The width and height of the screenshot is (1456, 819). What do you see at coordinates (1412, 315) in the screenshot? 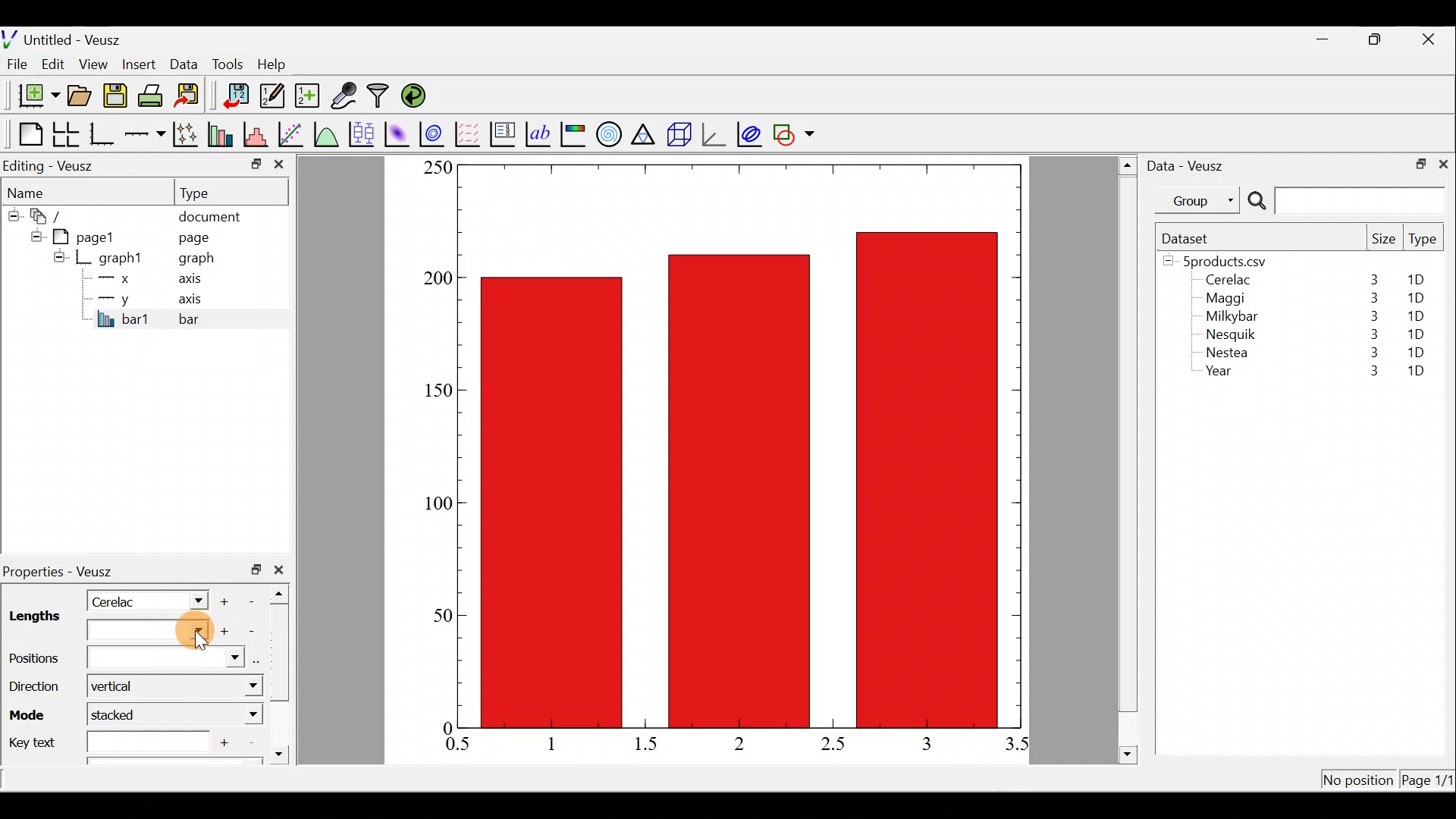
I see `1D` at bounding box center [1412, 315].